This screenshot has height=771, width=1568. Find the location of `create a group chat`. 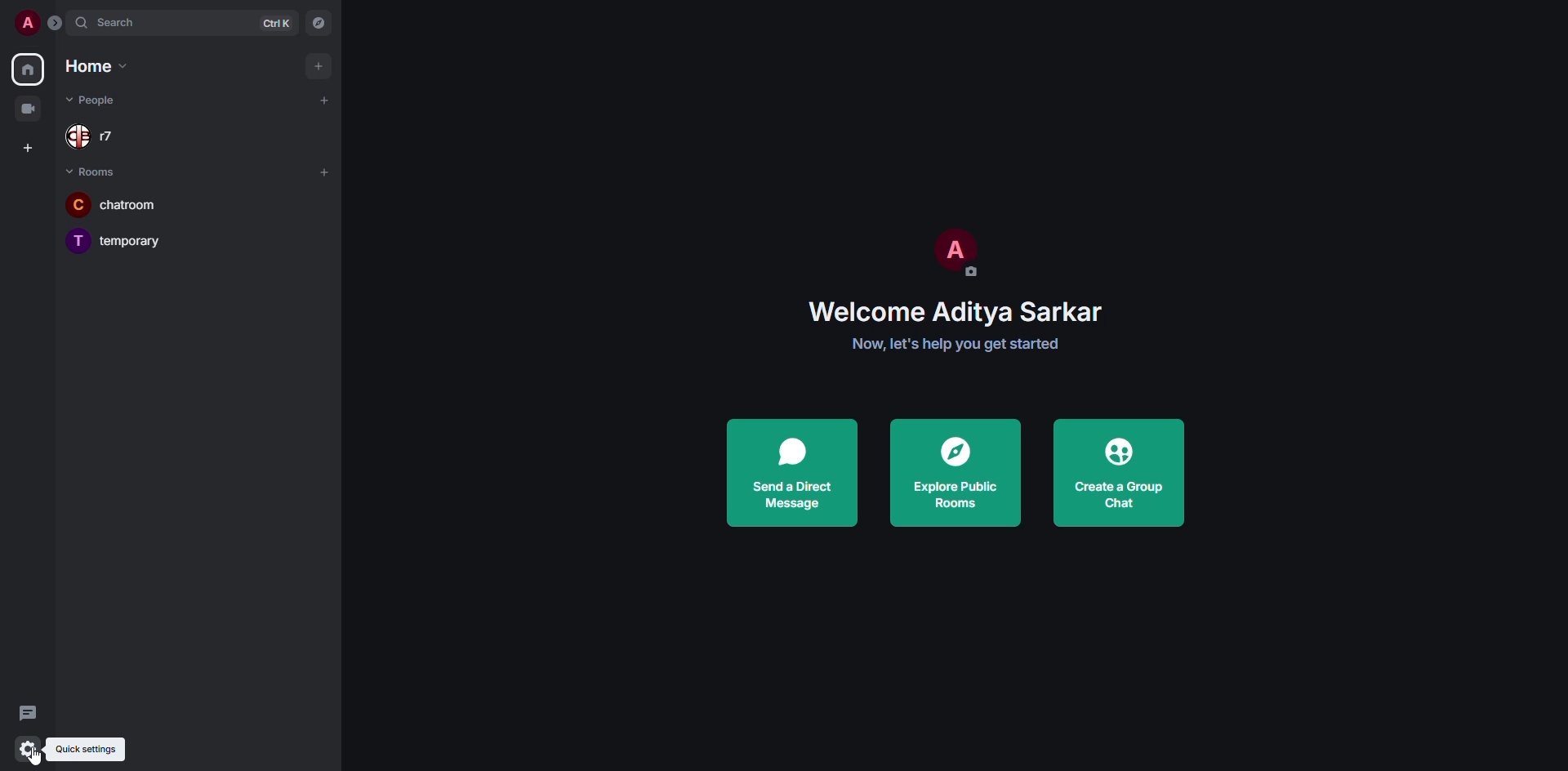

create a group chat is located at coordinates (1120, 473).